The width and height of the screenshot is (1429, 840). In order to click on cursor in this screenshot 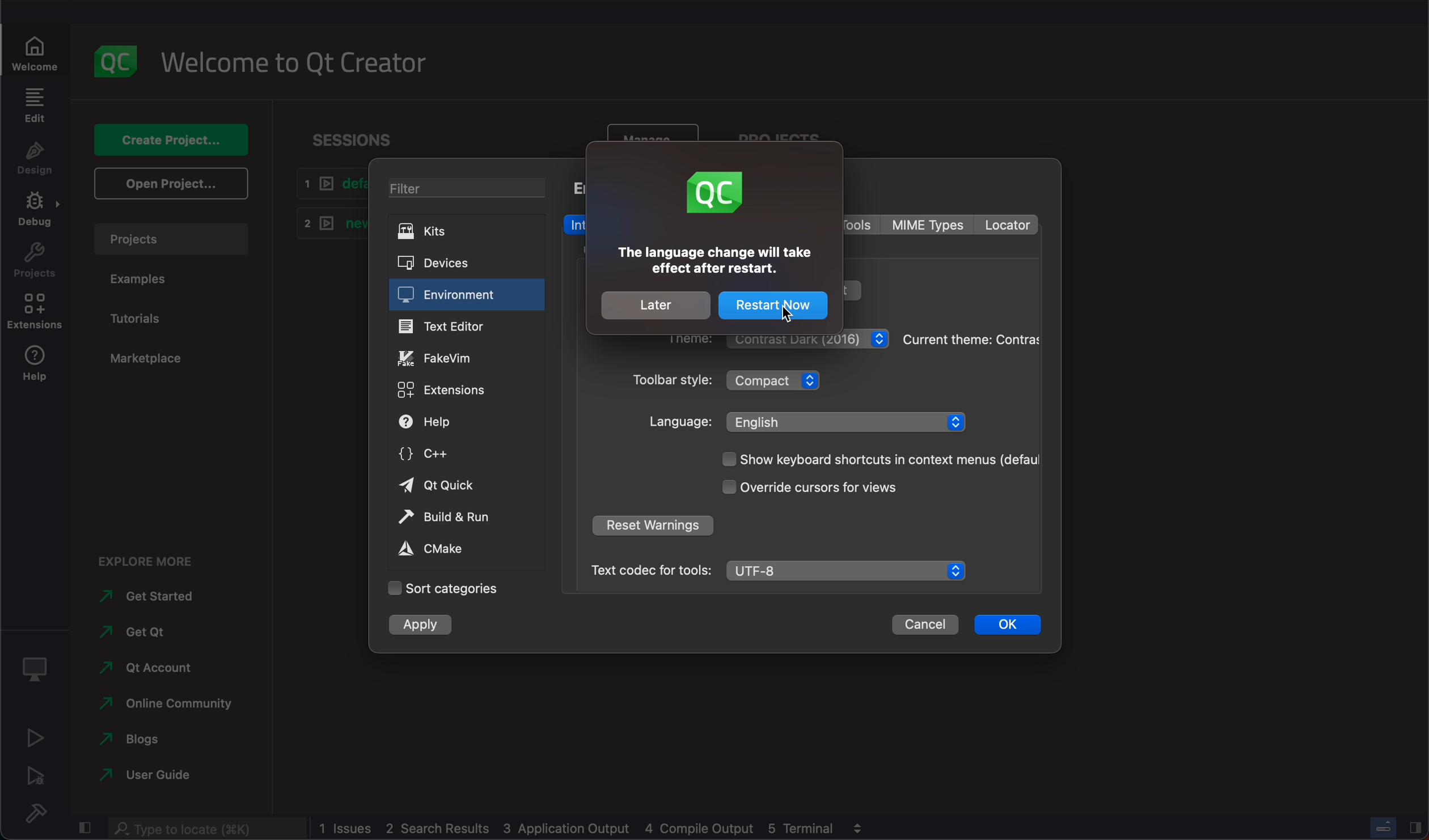, I will do `click(783, 308)`.